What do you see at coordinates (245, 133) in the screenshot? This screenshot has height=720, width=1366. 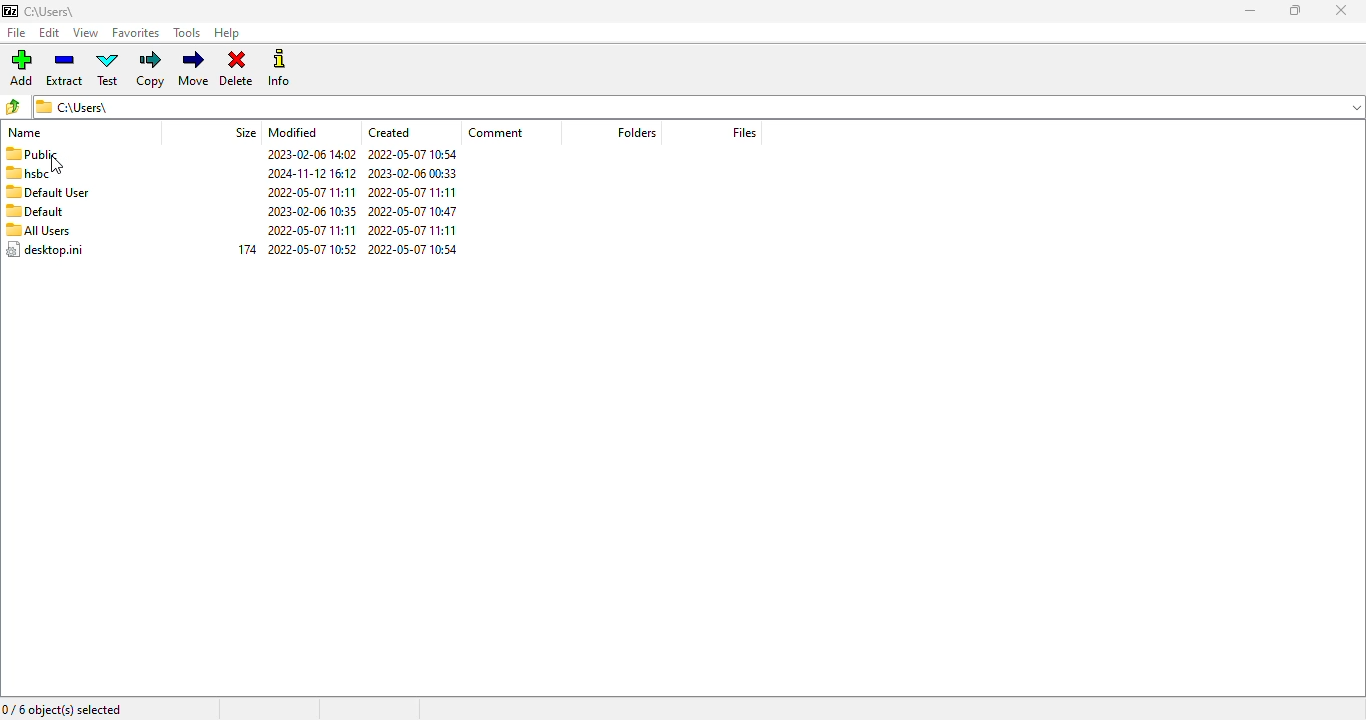 I see `size` at bounding box center [245, 133].